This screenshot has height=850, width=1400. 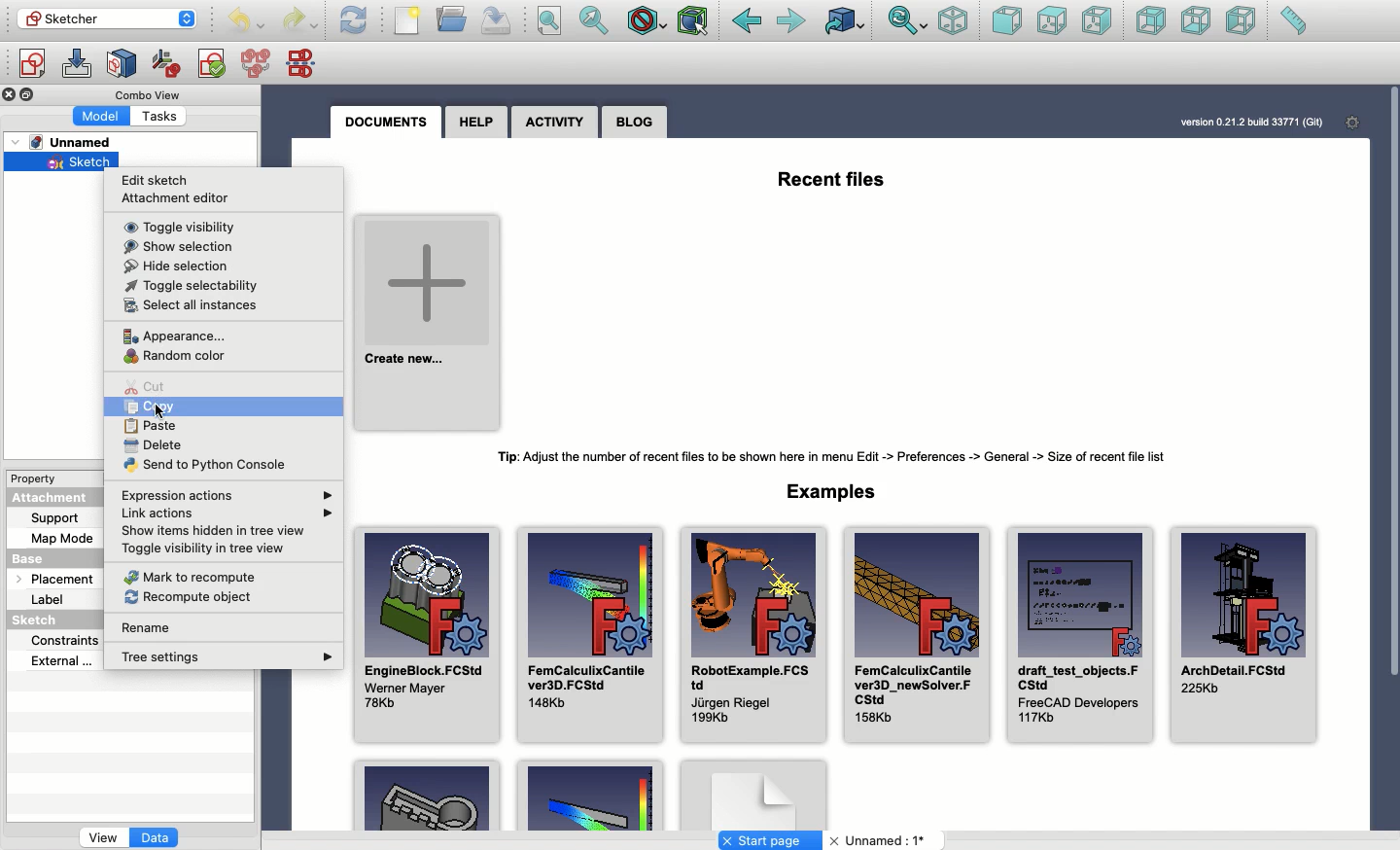 What do you see at coordinates (228, 496) in the screenshot?
I see `Expression actions ` at bounding box center [228, 496].